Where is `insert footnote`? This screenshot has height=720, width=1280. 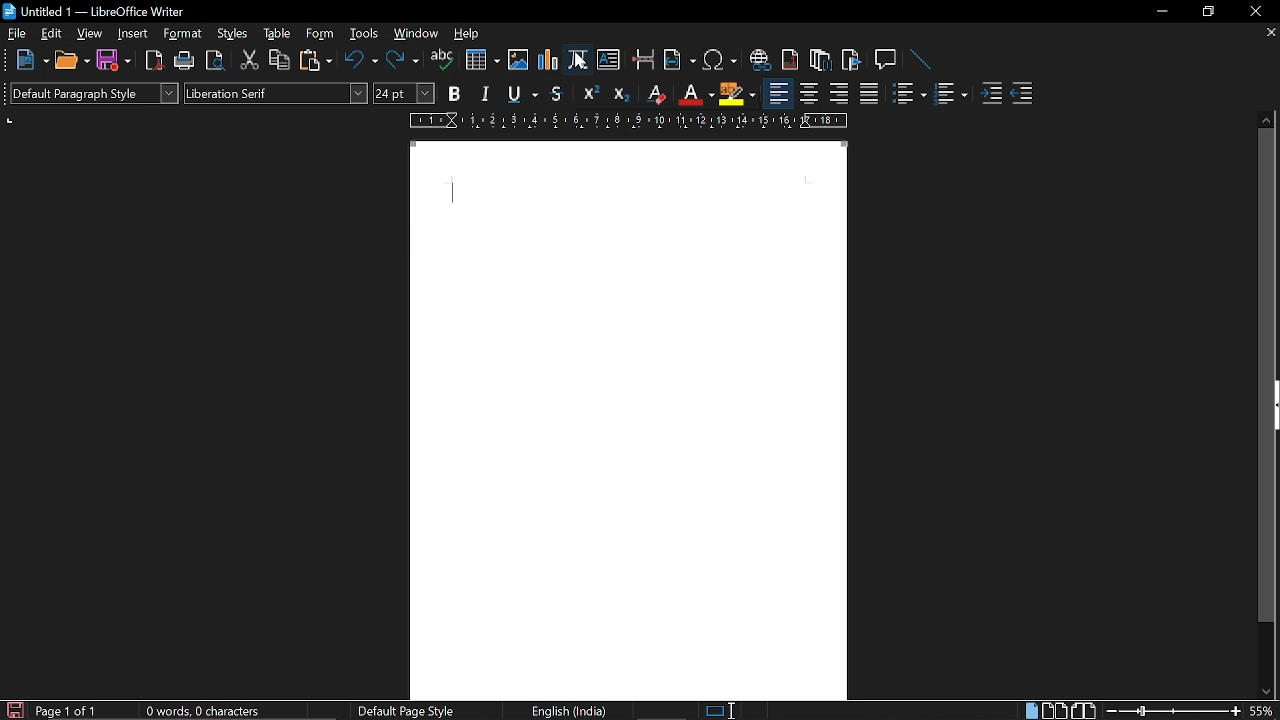
insert footnote is located at coordinates (790, 59).